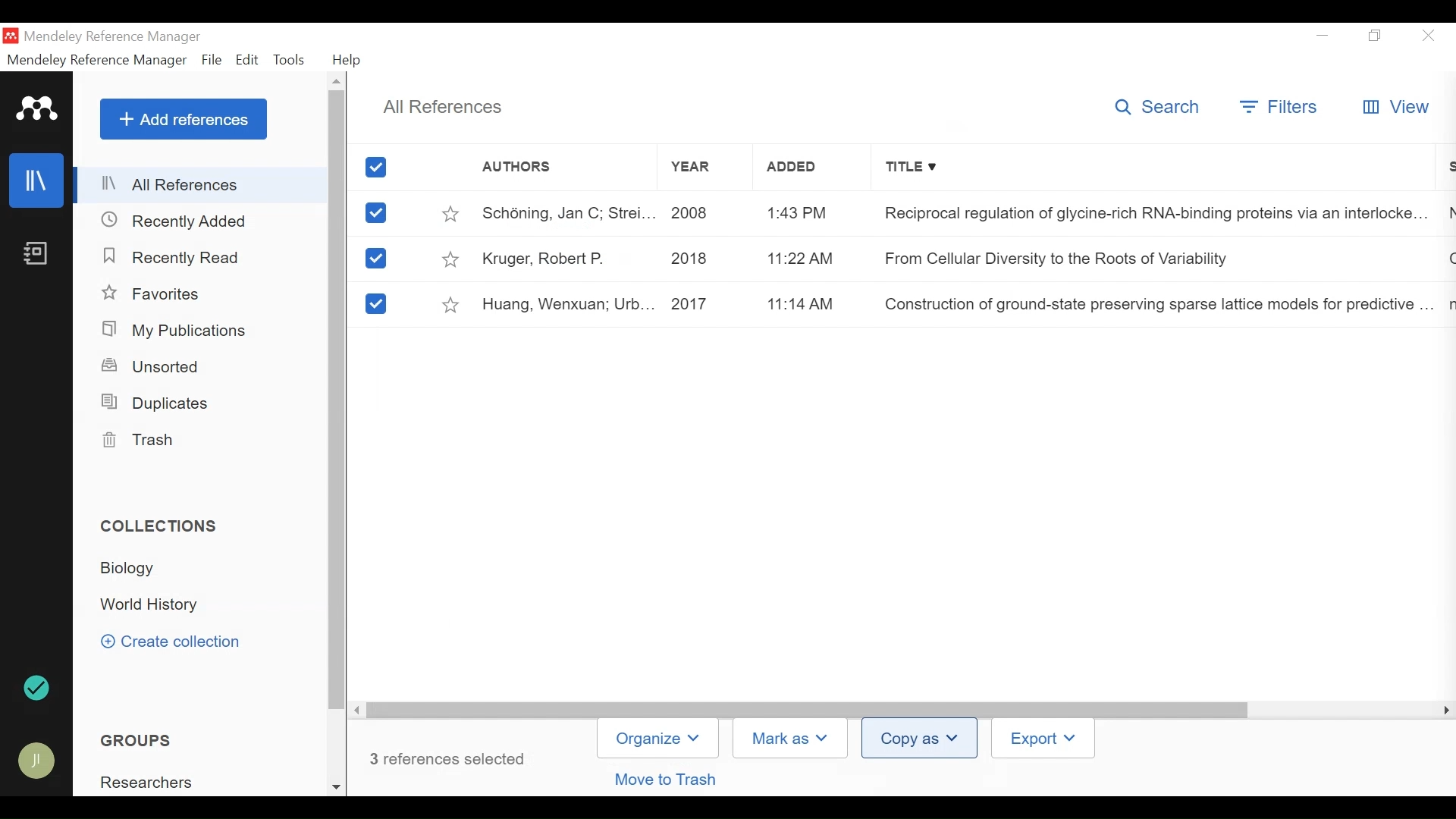 The image size is (1456, 819). I want to click on 1:43 PM, so click(802, 214).